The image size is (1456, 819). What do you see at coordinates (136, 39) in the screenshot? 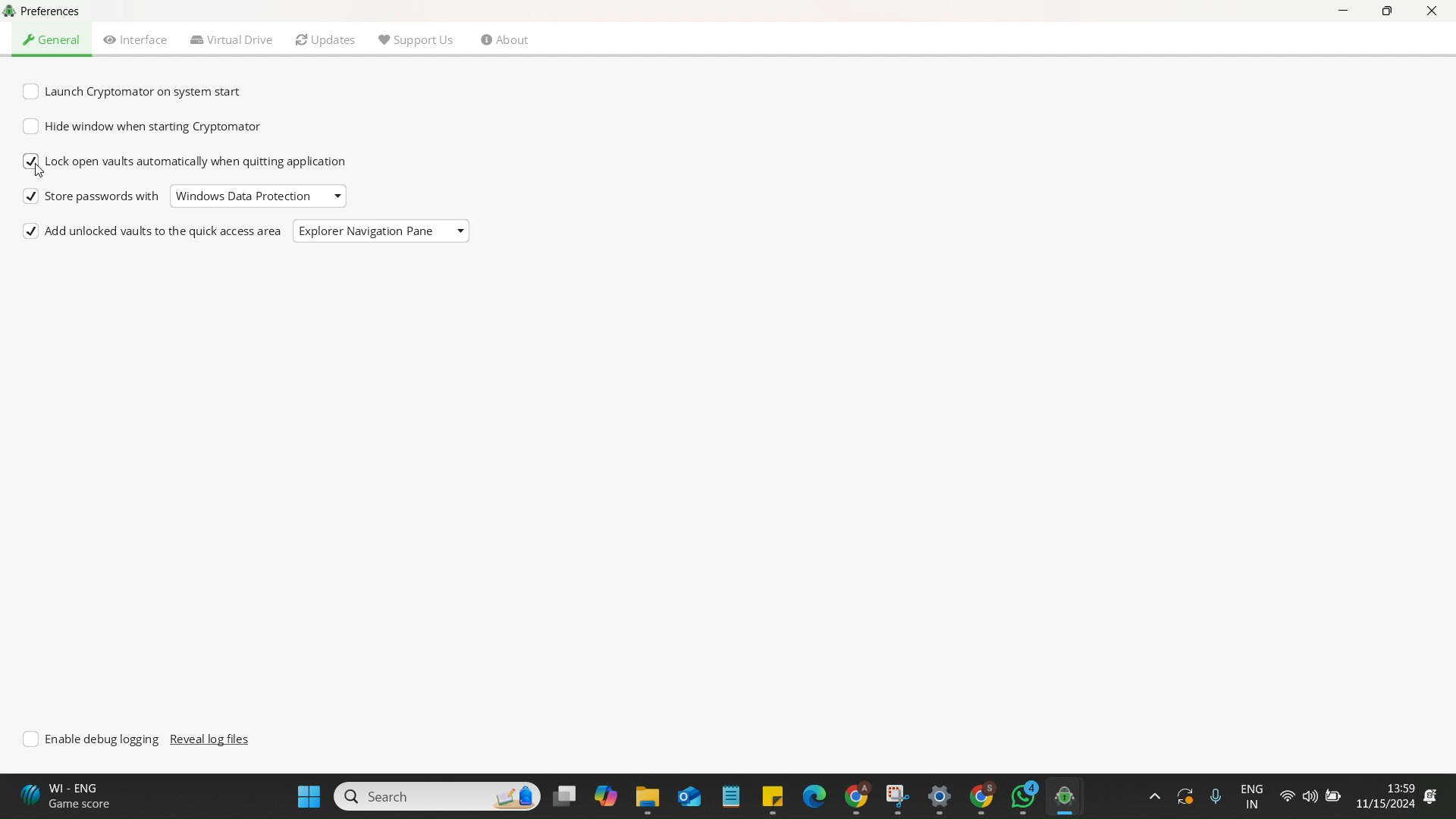
I see `Interface` at bounding box center [136, 39].